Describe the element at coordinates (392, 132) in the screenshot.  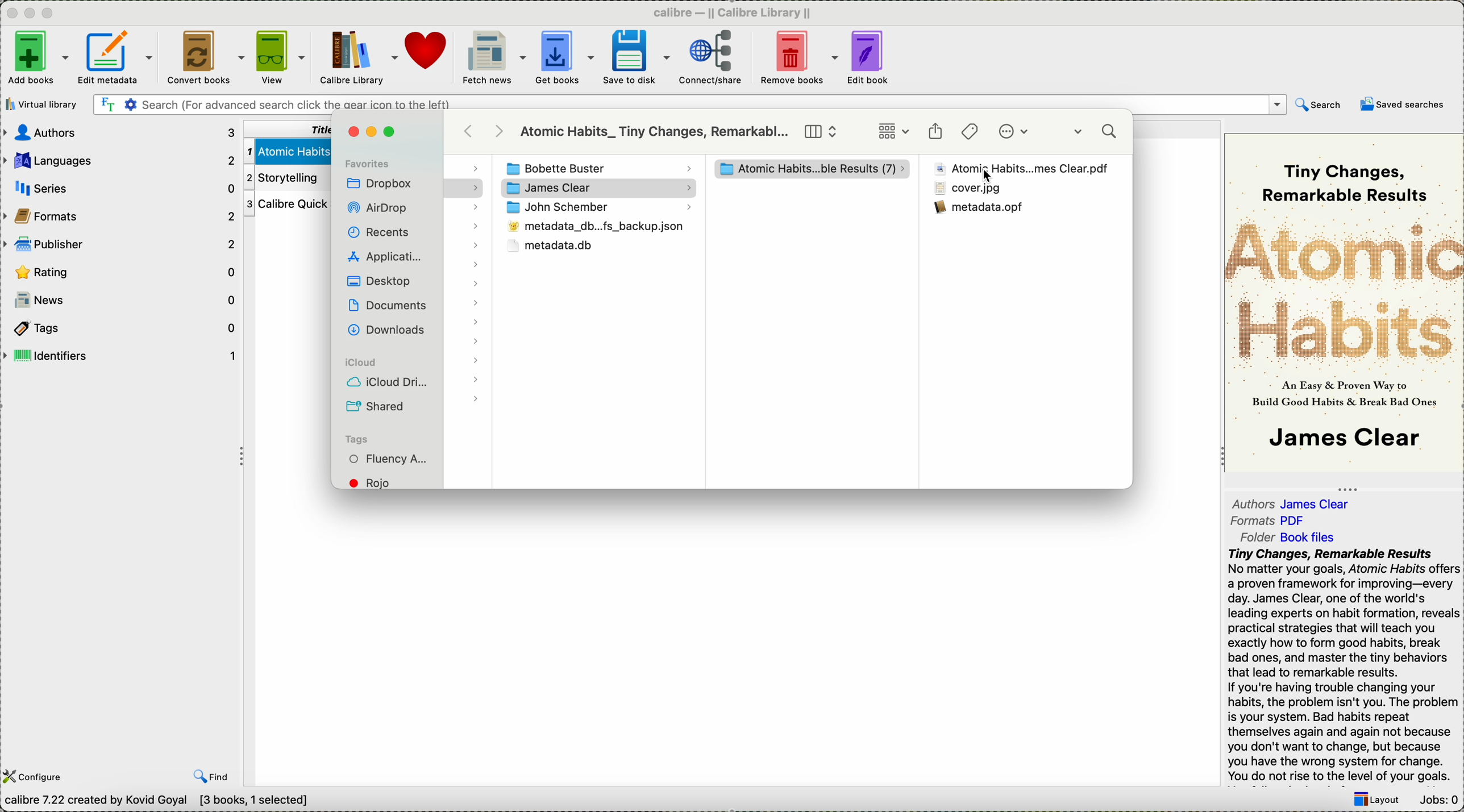
I see `maximize window` at that location.